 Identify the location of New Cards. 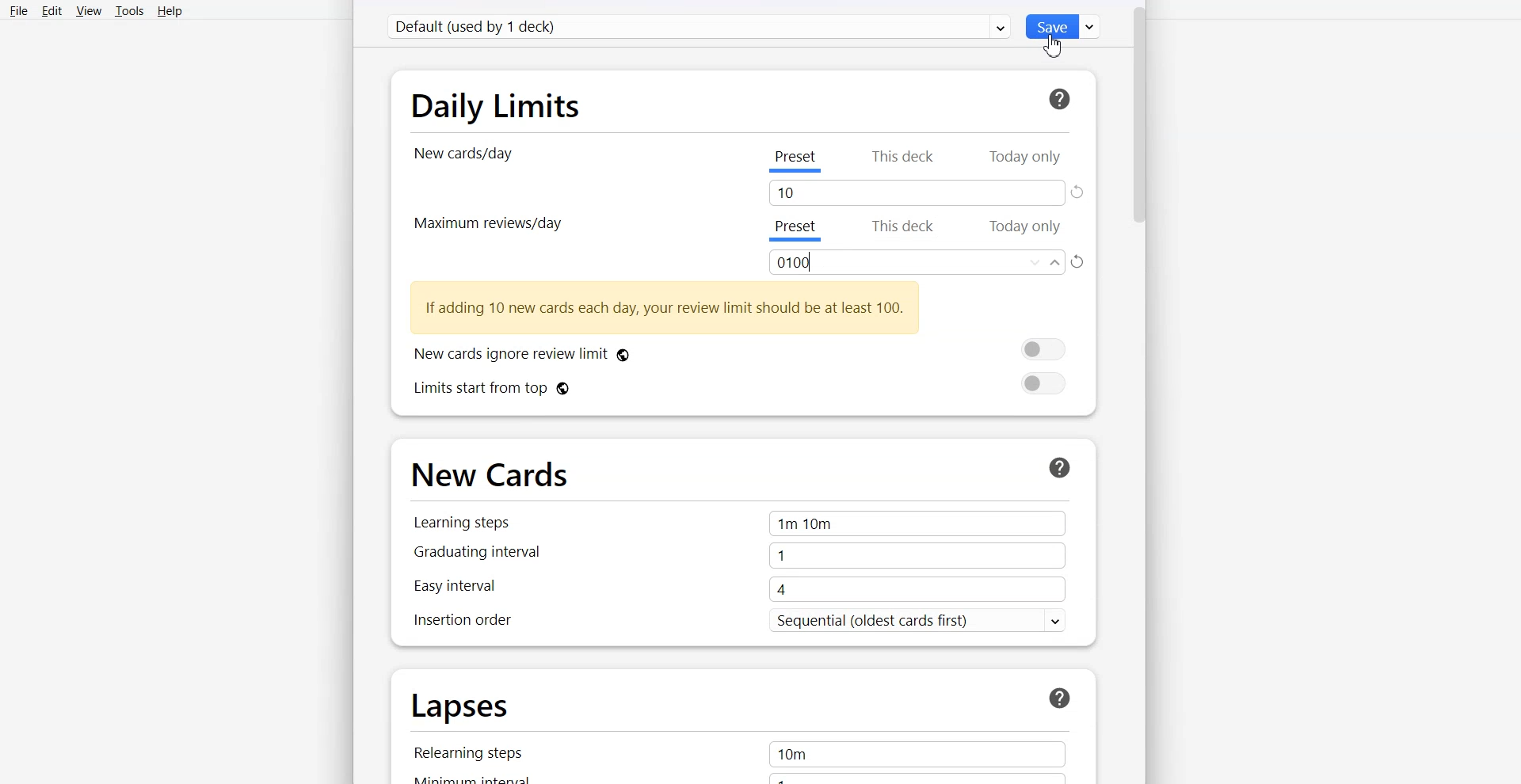
(494, 476).